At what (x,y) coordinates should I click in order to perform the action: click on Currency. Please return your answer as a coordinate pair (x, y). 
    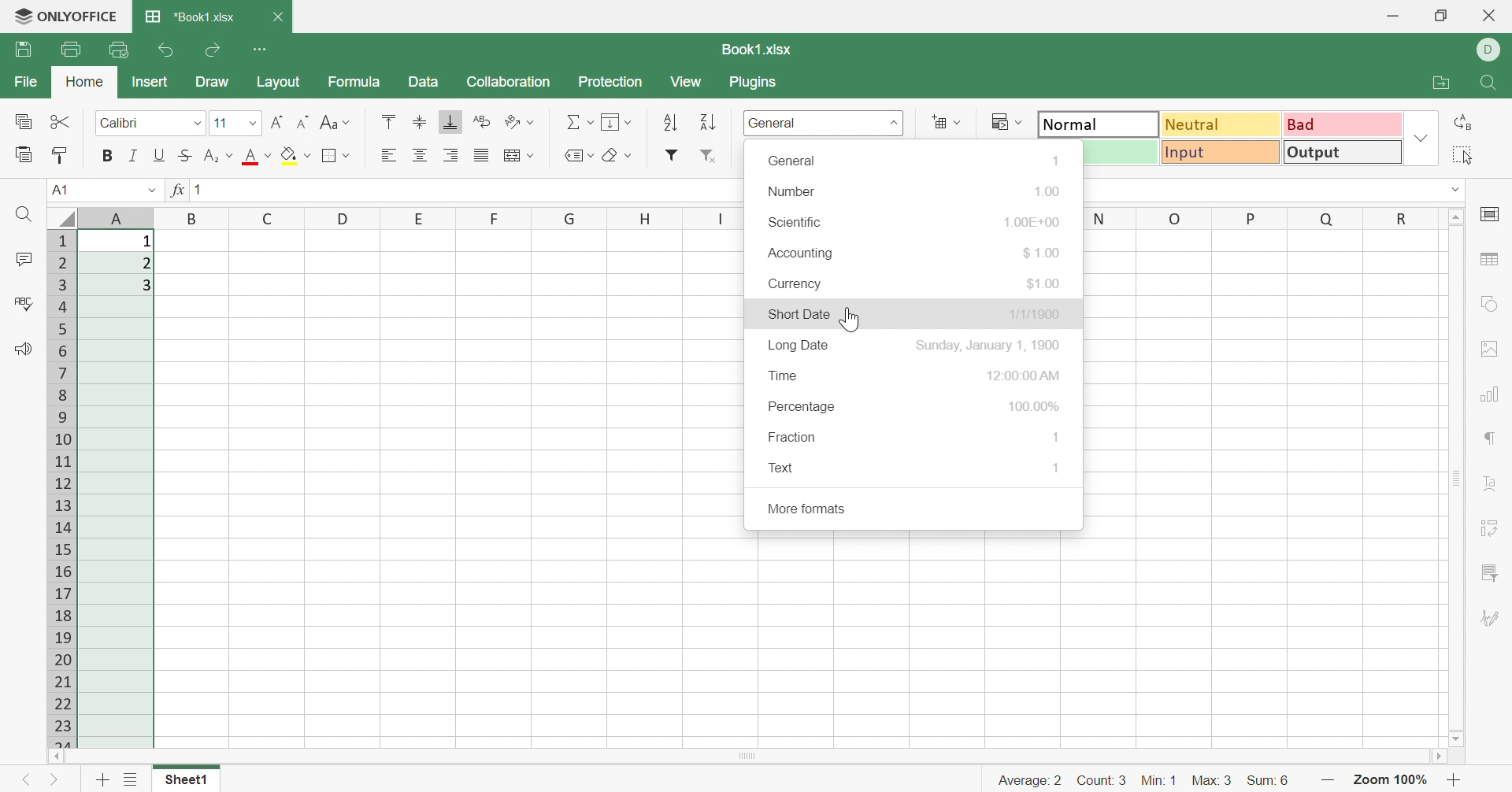
    Looking at the image, I should click on (797, 284).